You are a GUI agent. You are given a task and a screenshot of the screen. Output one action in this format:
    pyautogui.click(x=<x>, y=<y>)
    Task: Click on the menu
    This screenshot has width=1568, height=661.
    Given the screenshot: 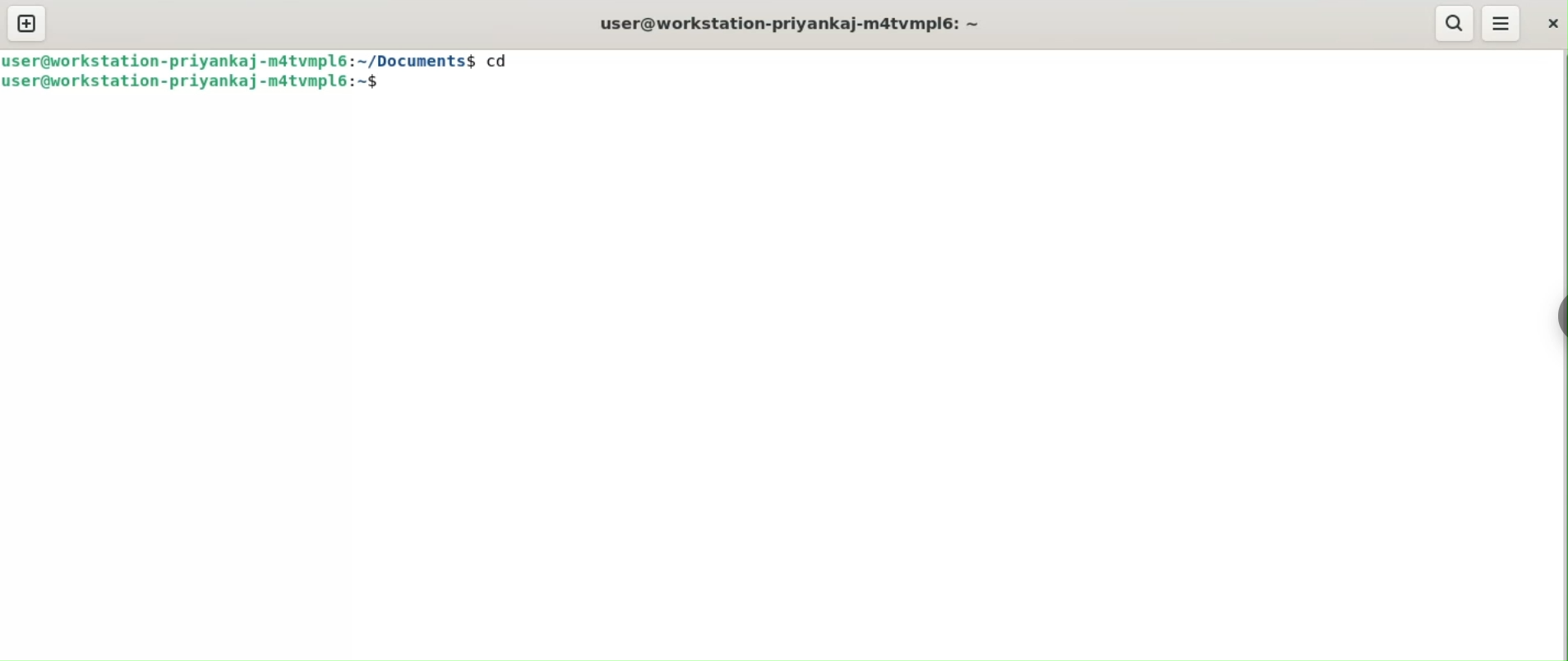 What is the action you would take?
    pyautogui.click(x=1502, y=23)
    